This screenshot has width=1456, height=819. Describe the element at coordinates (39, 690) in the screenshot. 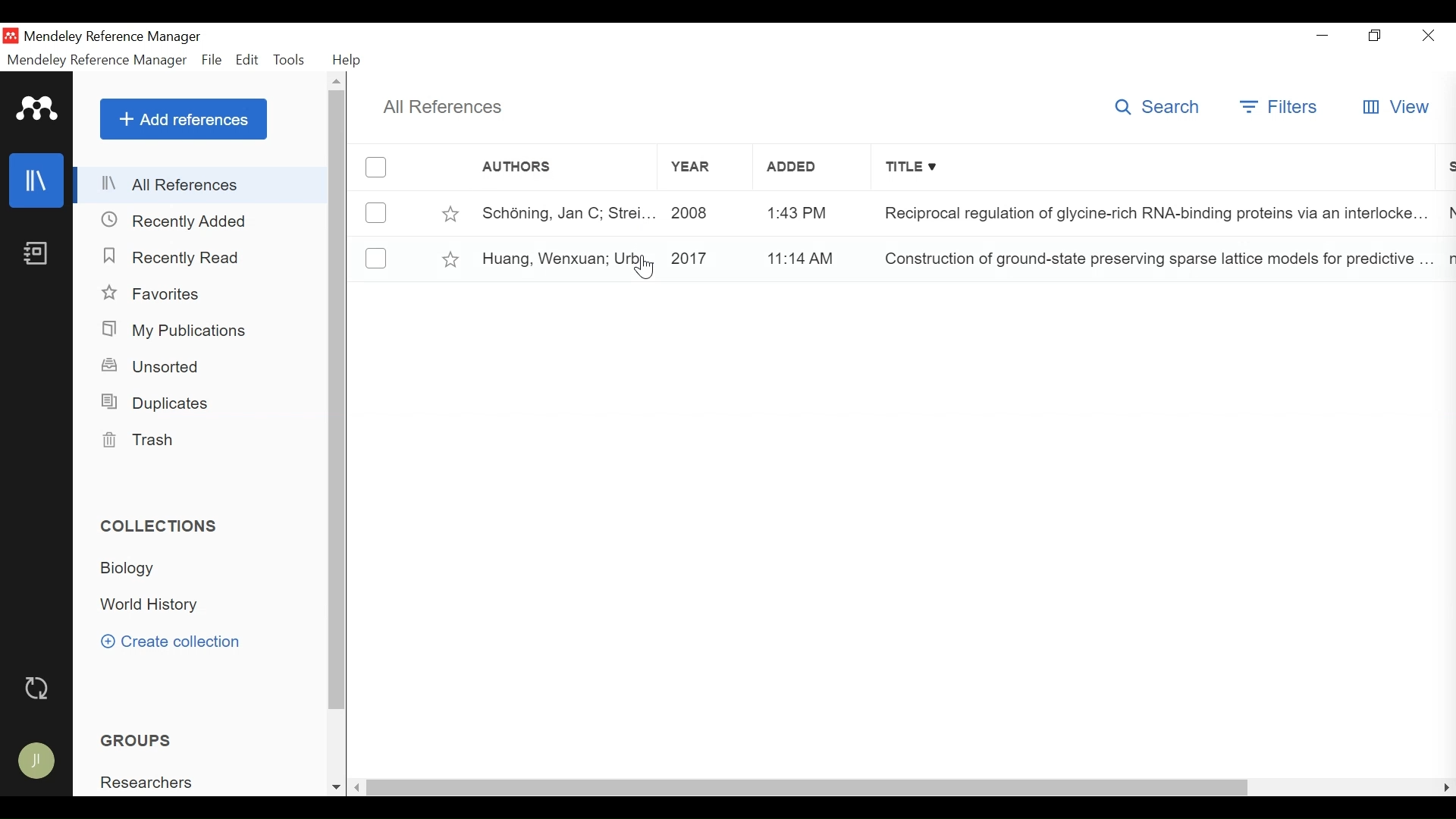

I see `Sync` at that location.